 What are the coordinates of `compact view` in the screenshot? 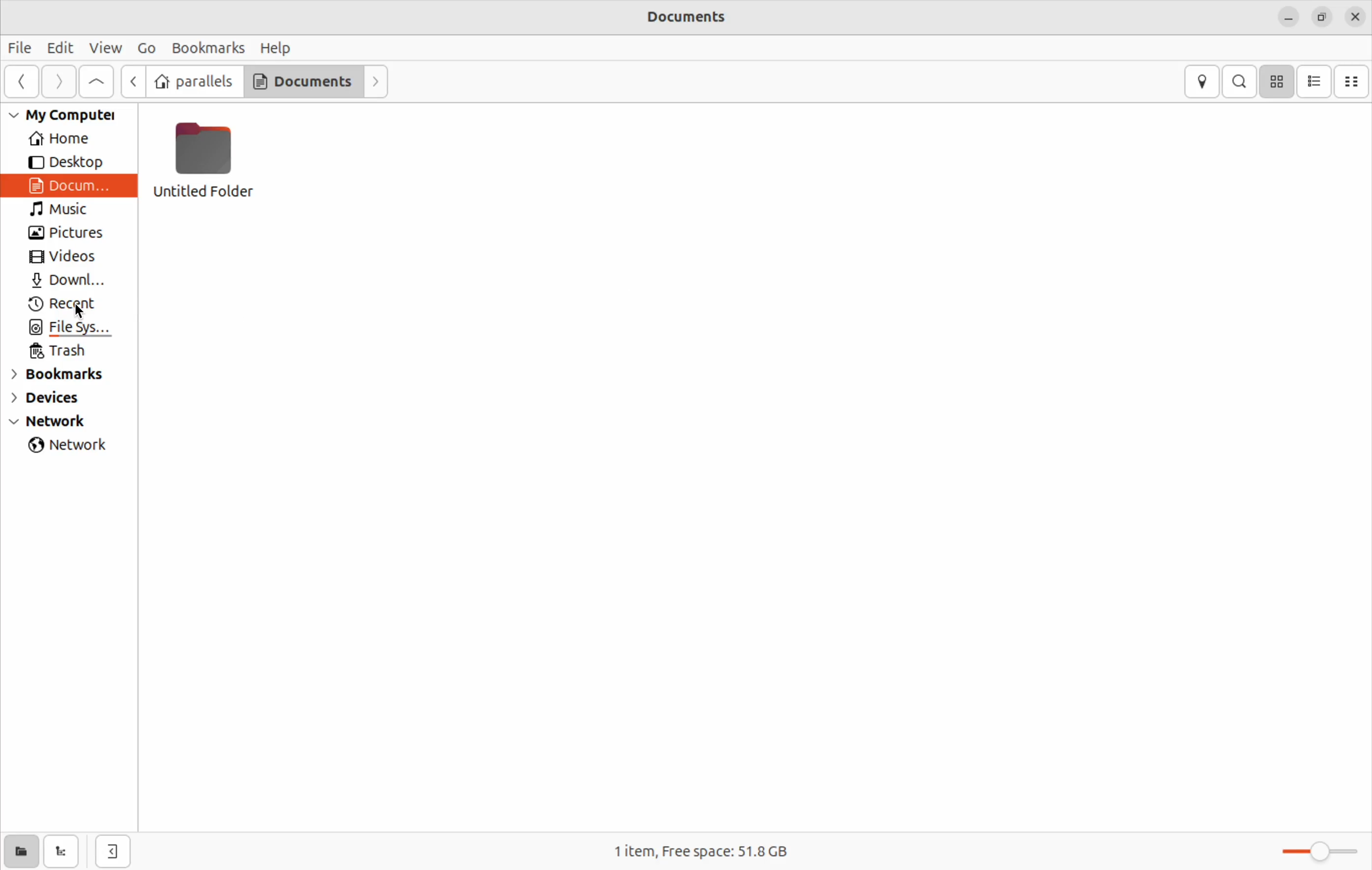 It's located at (1351, 81).